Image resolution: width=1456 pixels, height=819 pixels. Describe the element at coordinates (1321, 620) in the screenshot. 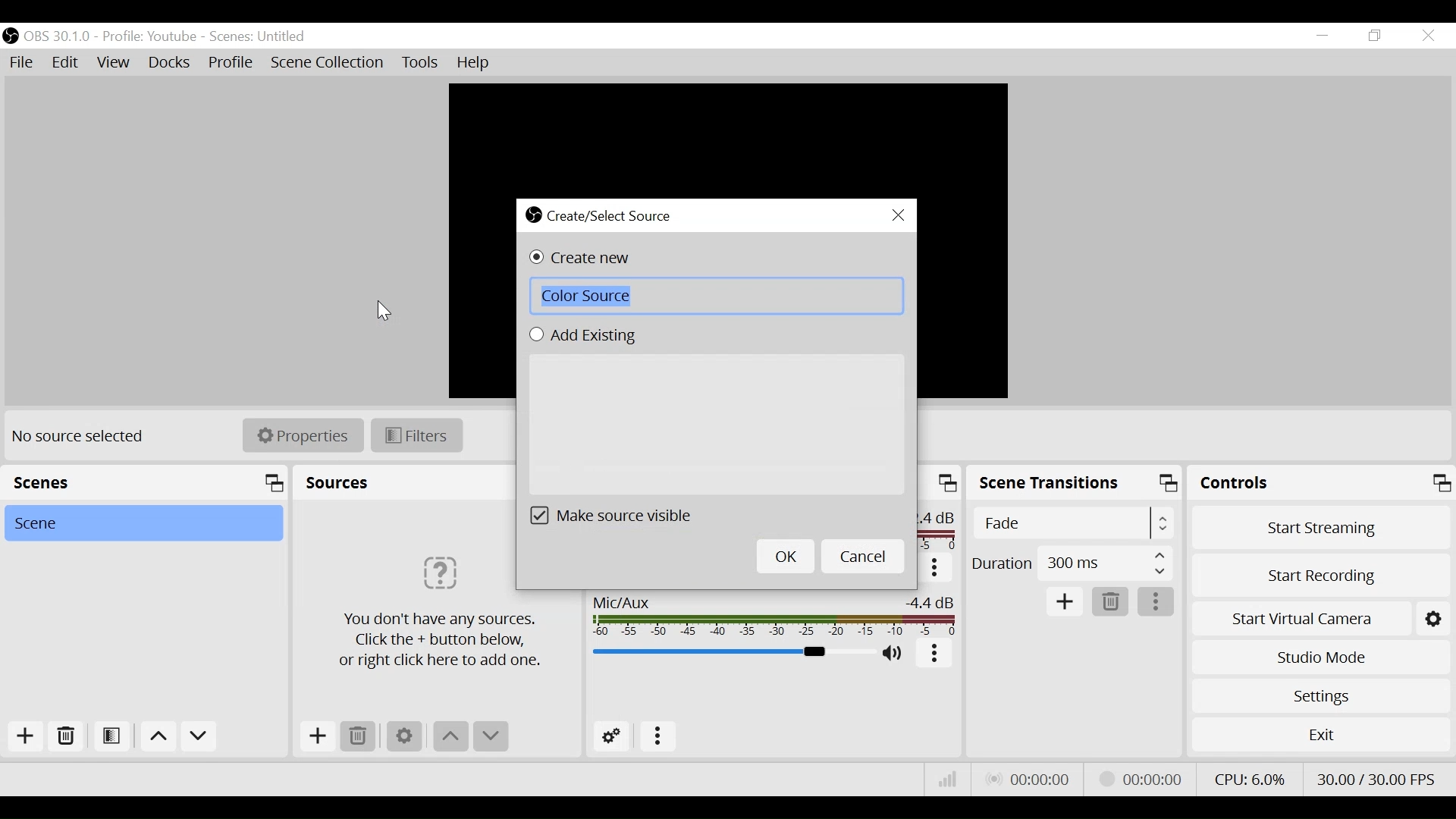

I see `Start Virtual Camera` at that location.